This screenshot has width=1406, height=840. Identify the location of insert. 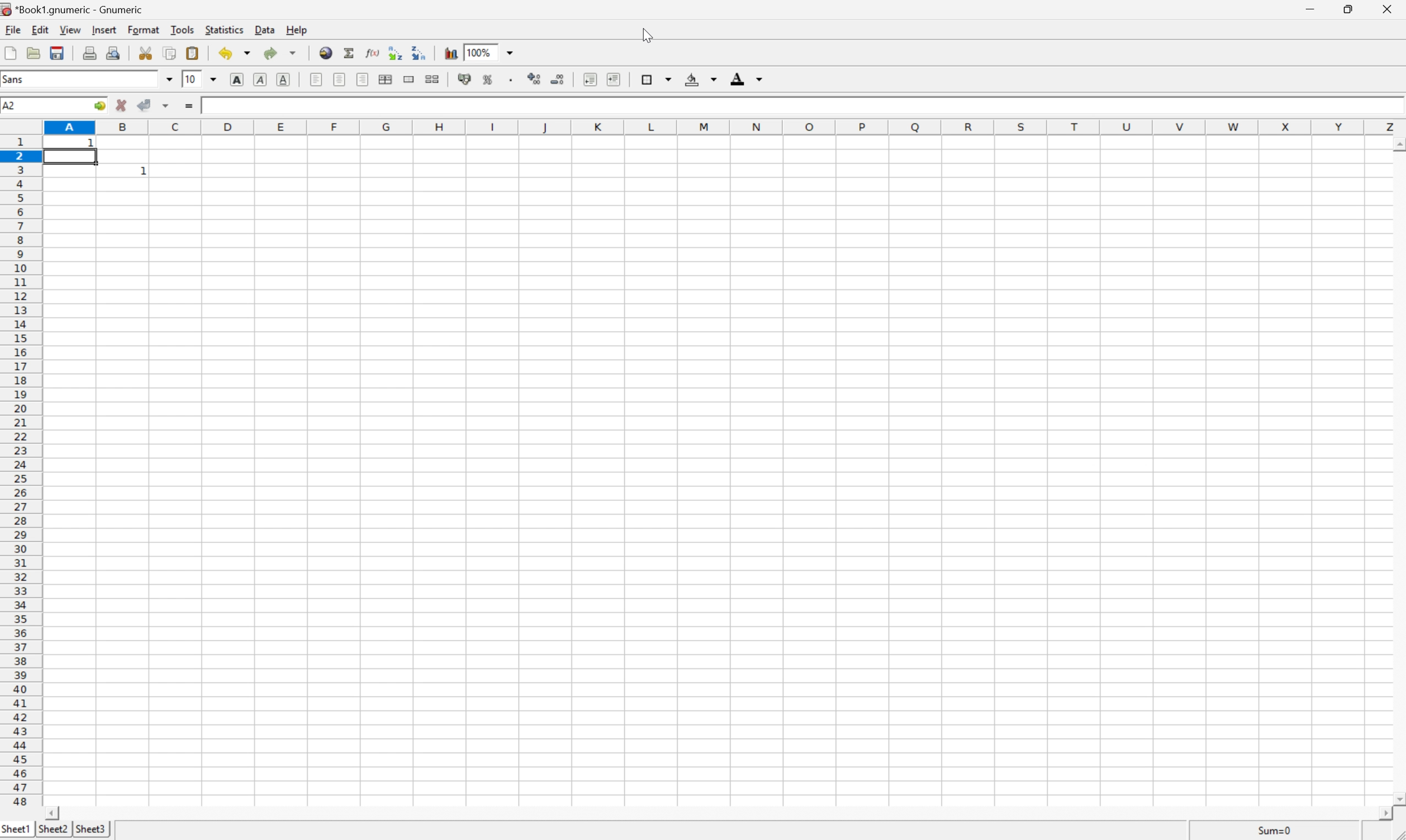
(104, 30).